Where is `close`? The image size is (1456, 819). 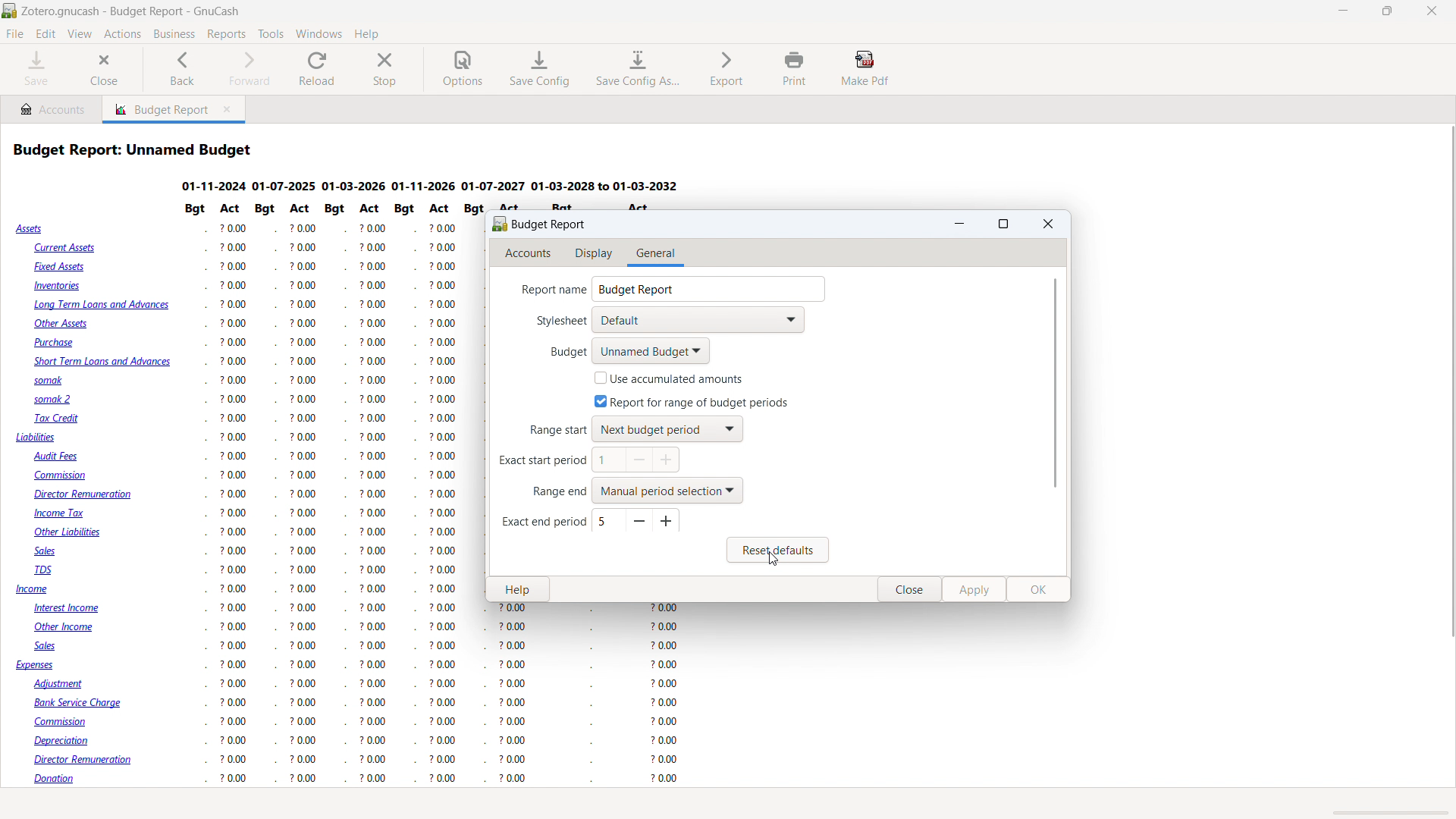
close is located at coordinates (1048, 223).